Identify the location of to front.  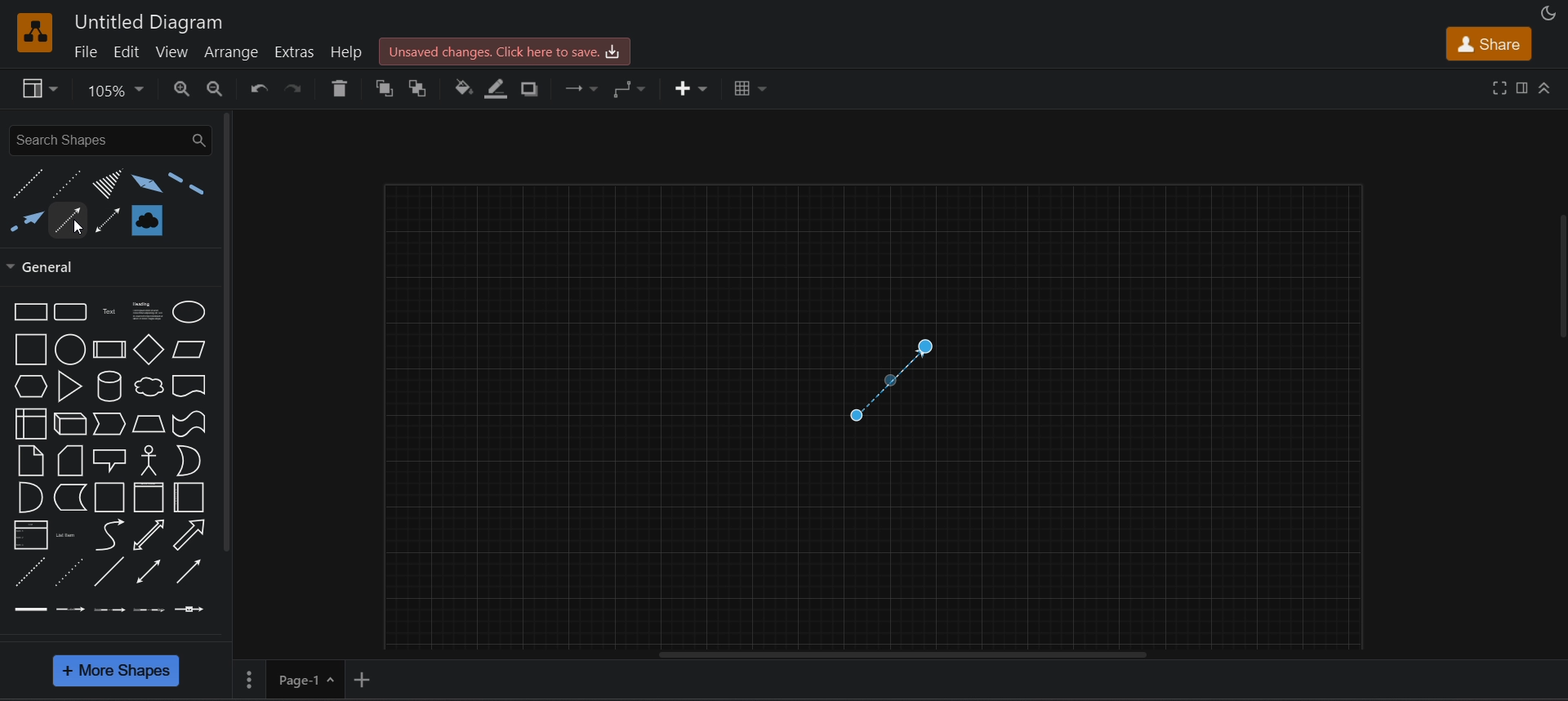
(421, 87).